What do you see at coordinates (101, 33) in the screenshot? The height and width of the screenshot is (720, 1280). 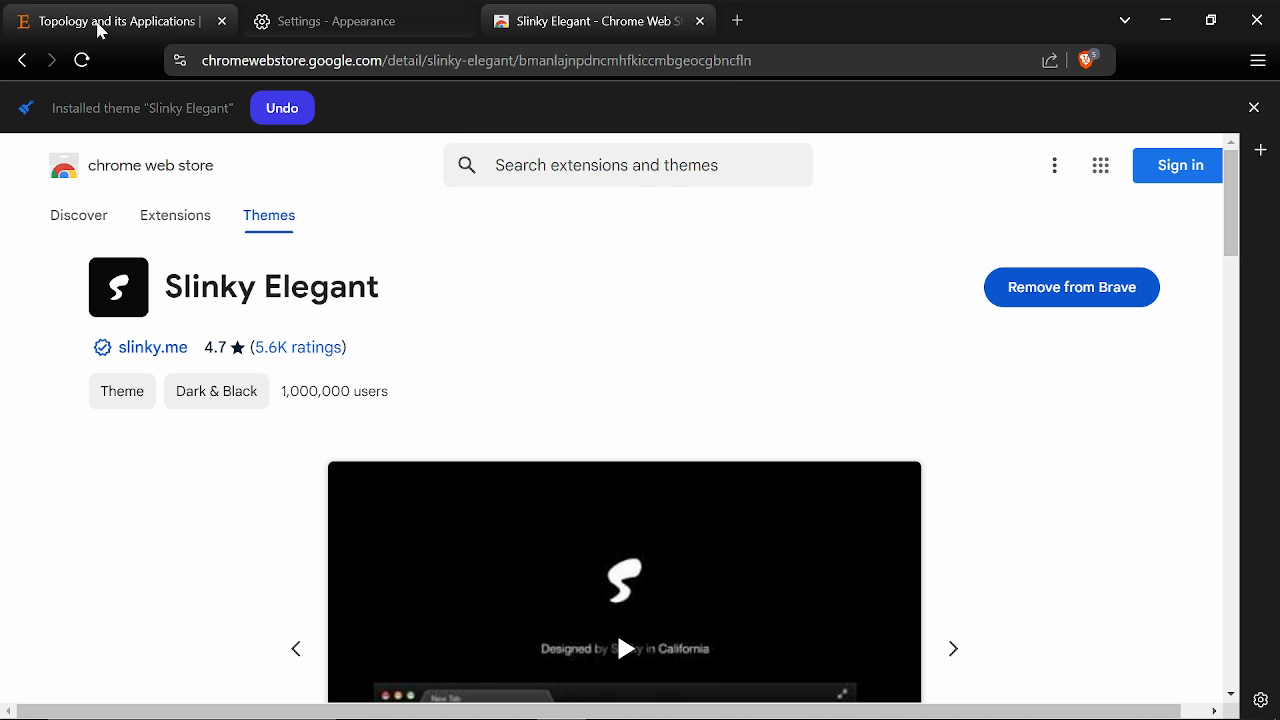 I see `cursor` at bounding box center [101, 33].